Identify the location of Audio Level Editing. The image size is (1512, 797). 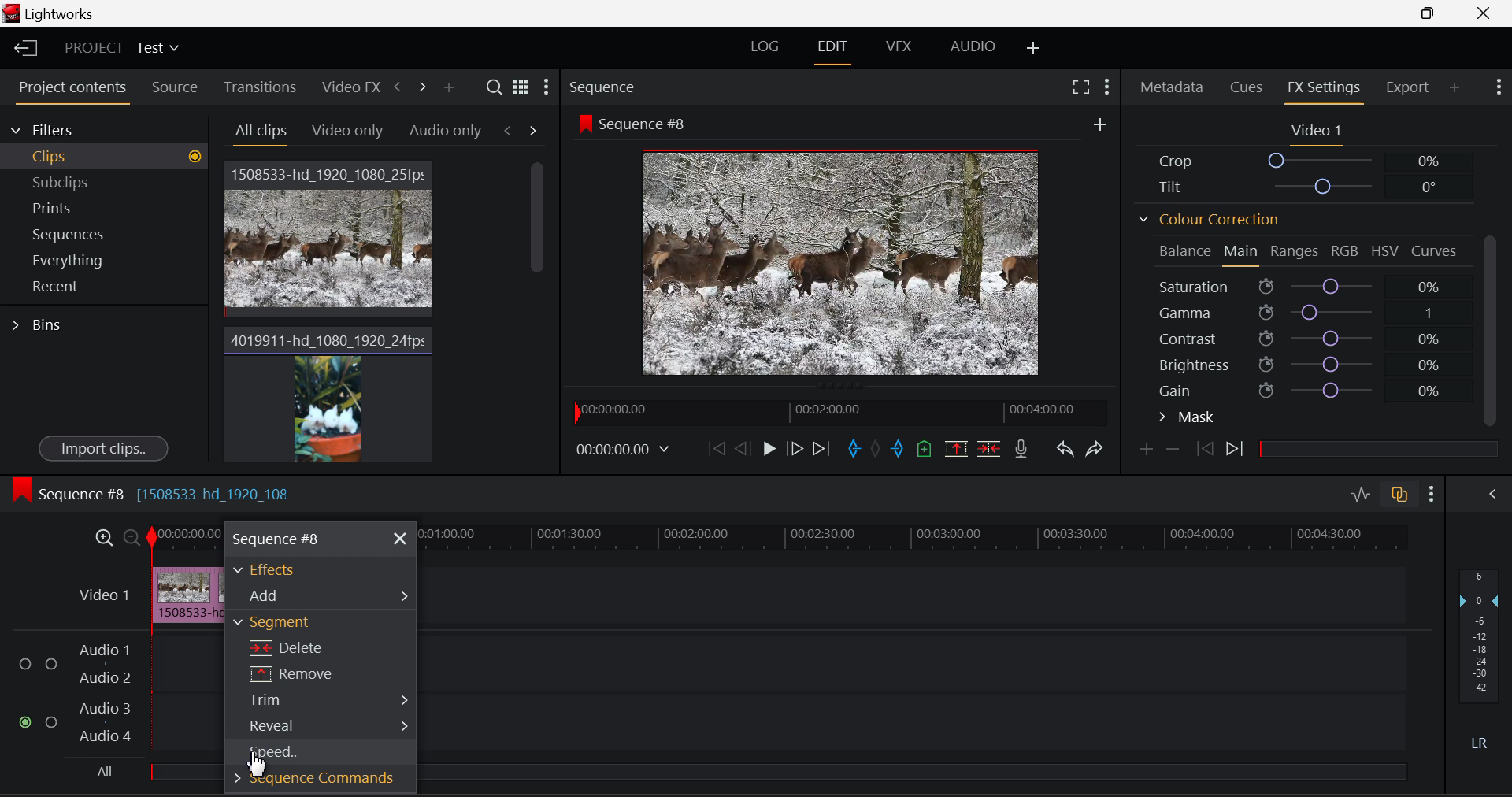
(1361, 494).